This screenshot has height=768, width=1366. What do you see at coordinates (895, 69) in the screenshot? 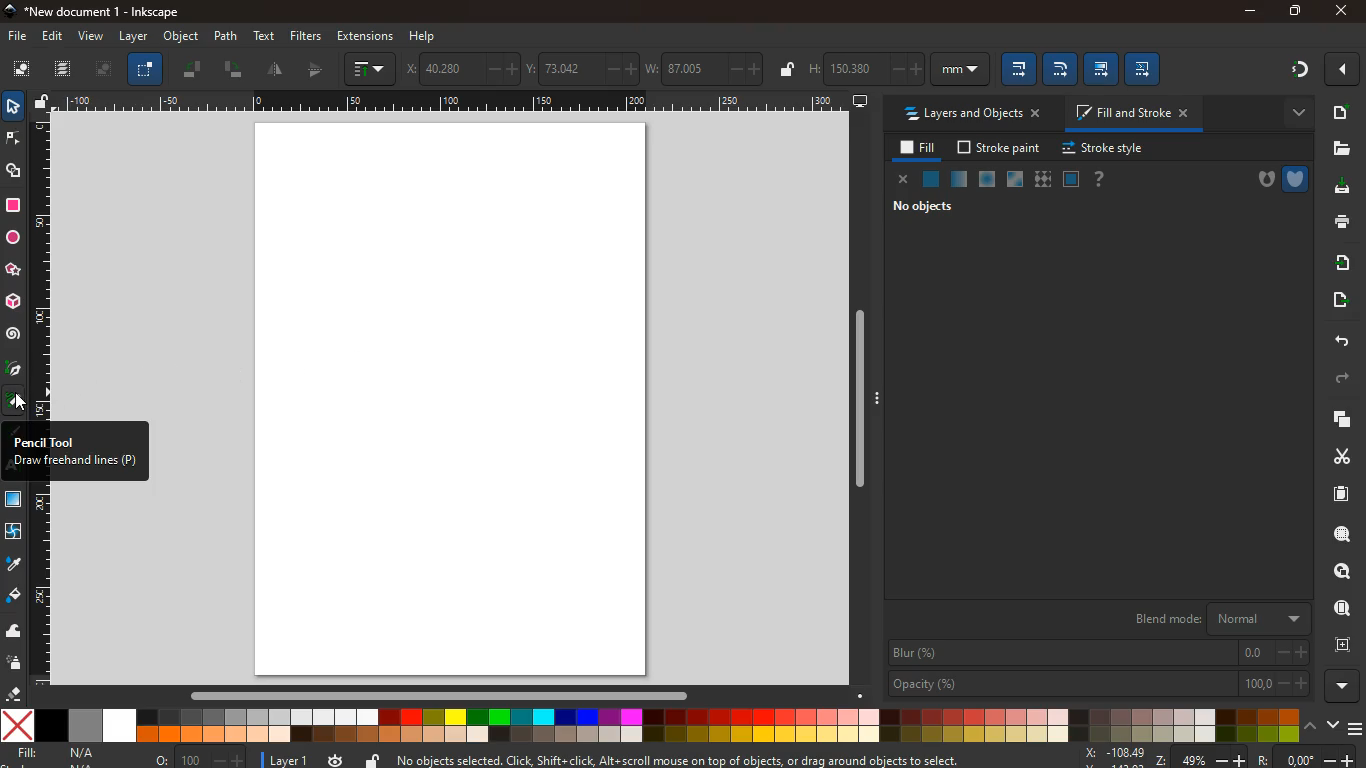
I see `h` at bounding box center [895, 69].